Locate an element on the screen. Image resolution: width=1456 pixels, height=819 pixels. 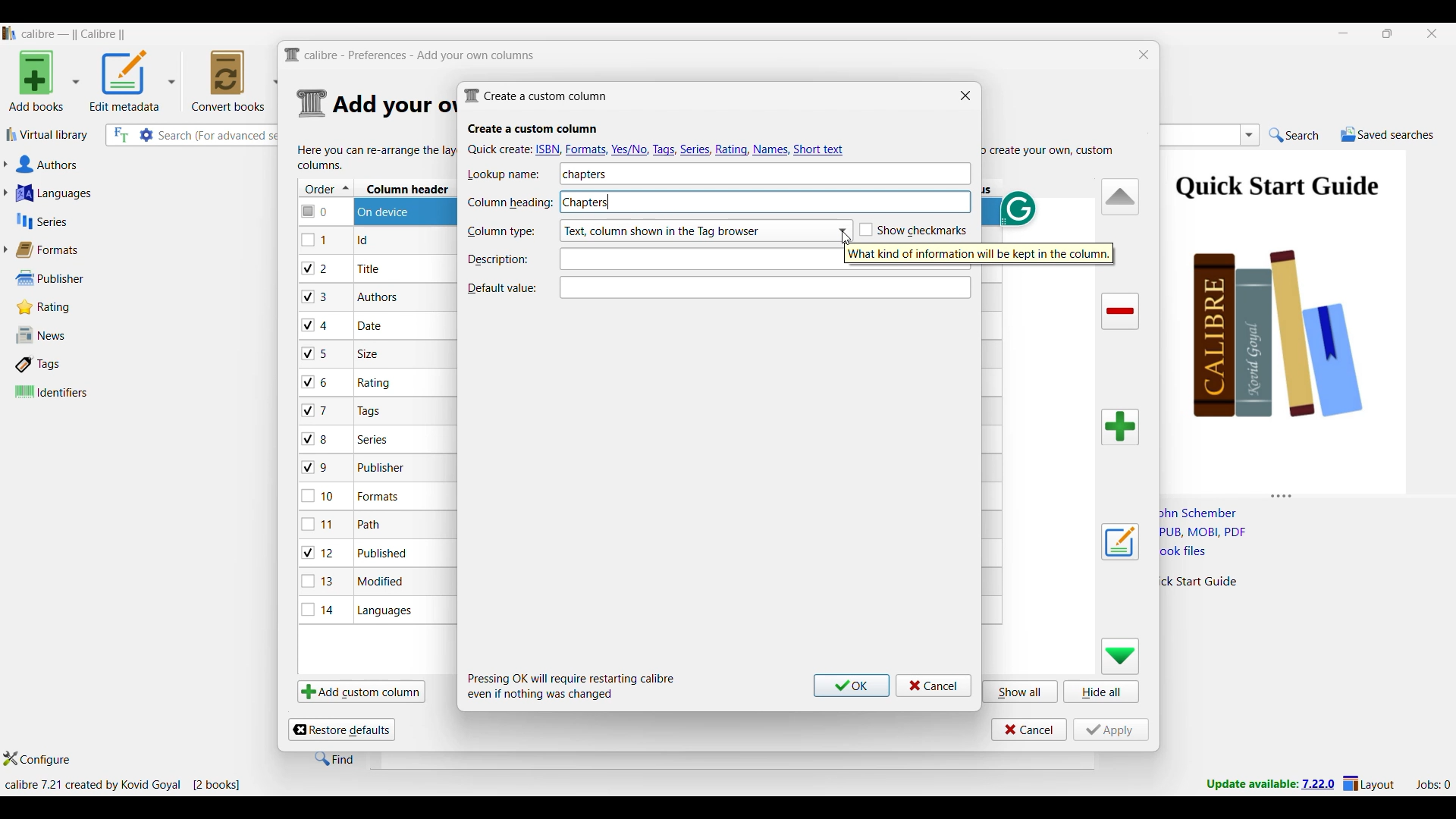
checkbox - 11 is located at coordinates (320, 524).